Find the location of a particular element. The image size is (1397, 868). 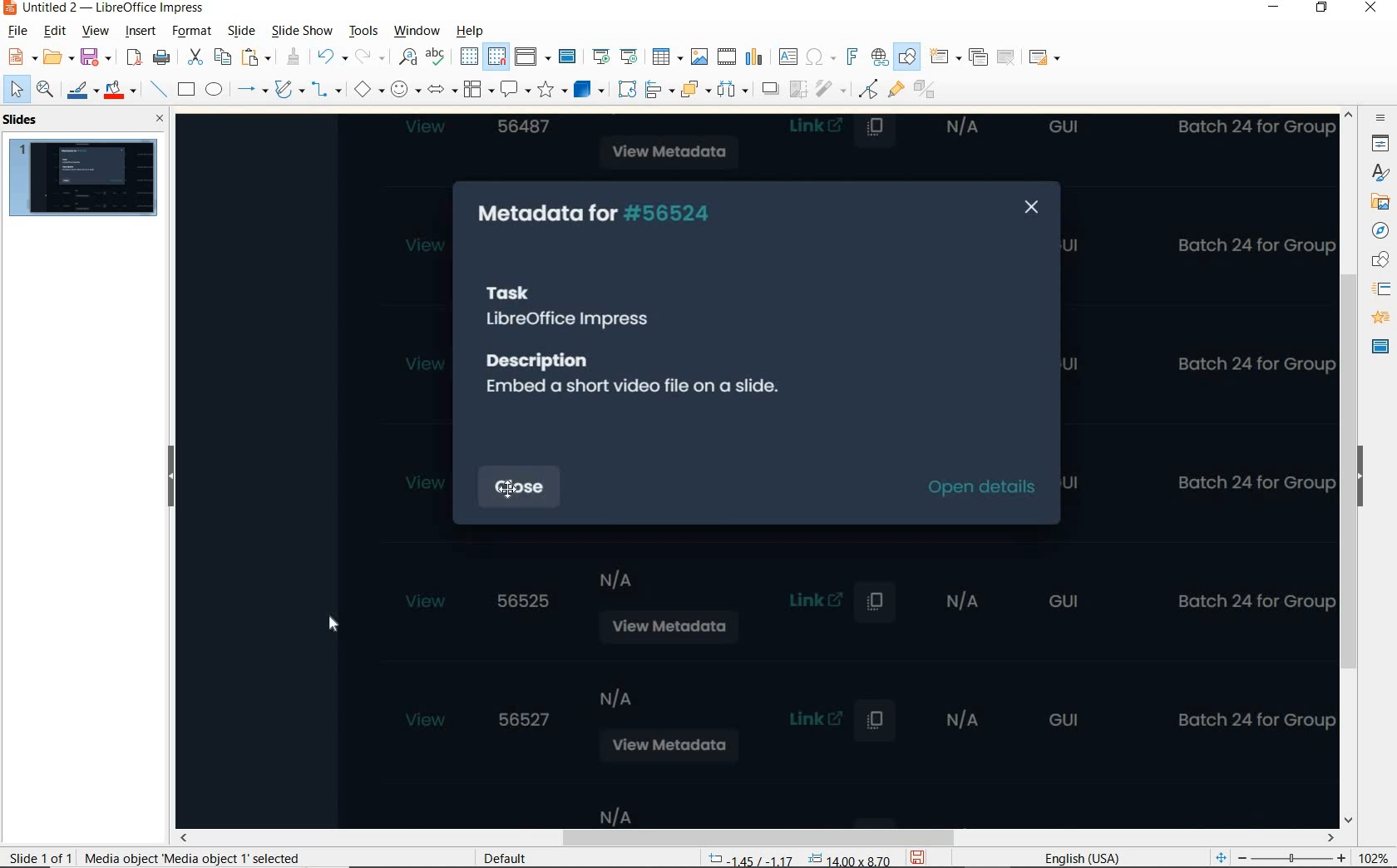

SLIDE LAYOUT is located at coordinates (1044, 57).